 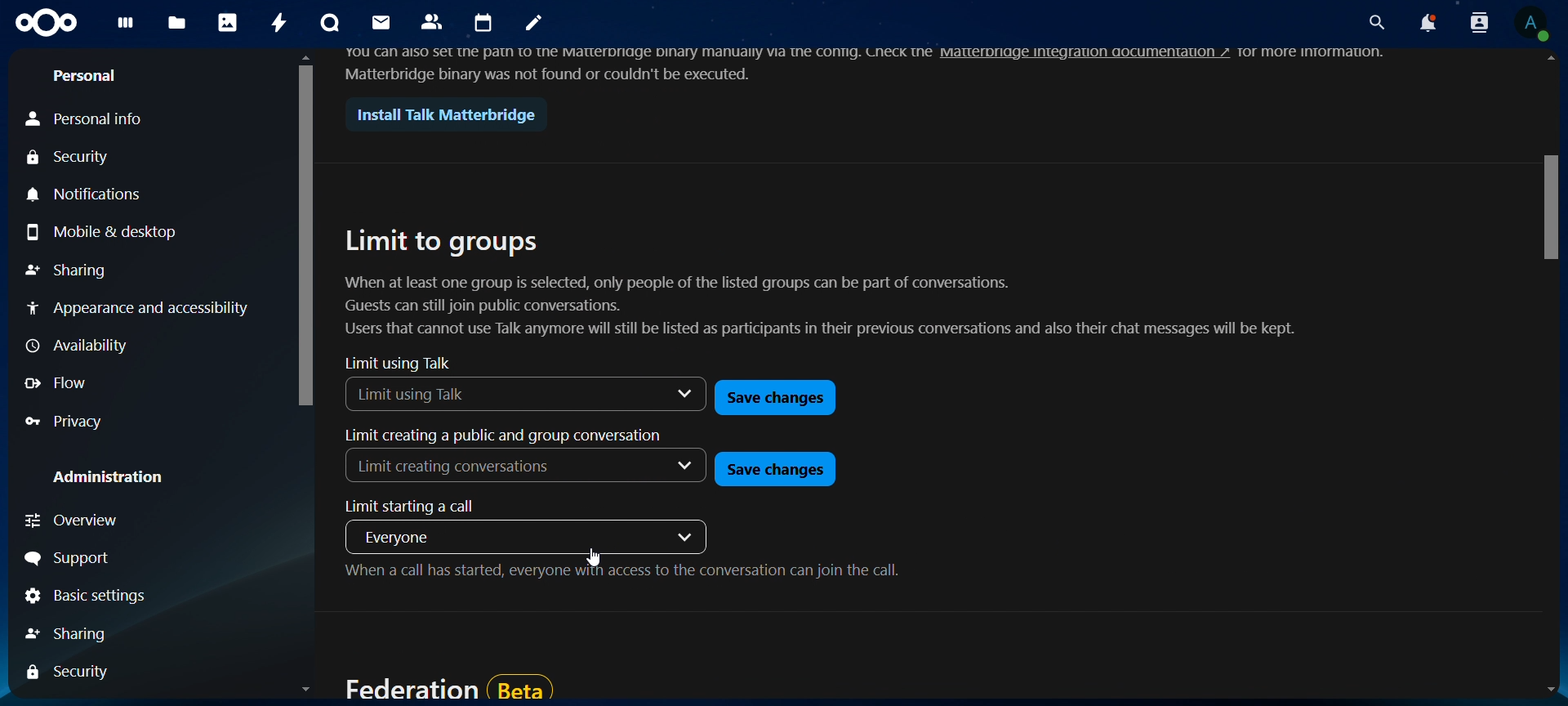 What do you see at coordinates (90, 115) in the screenshot?
I see `Personal info` at bounding box center [90, 115].